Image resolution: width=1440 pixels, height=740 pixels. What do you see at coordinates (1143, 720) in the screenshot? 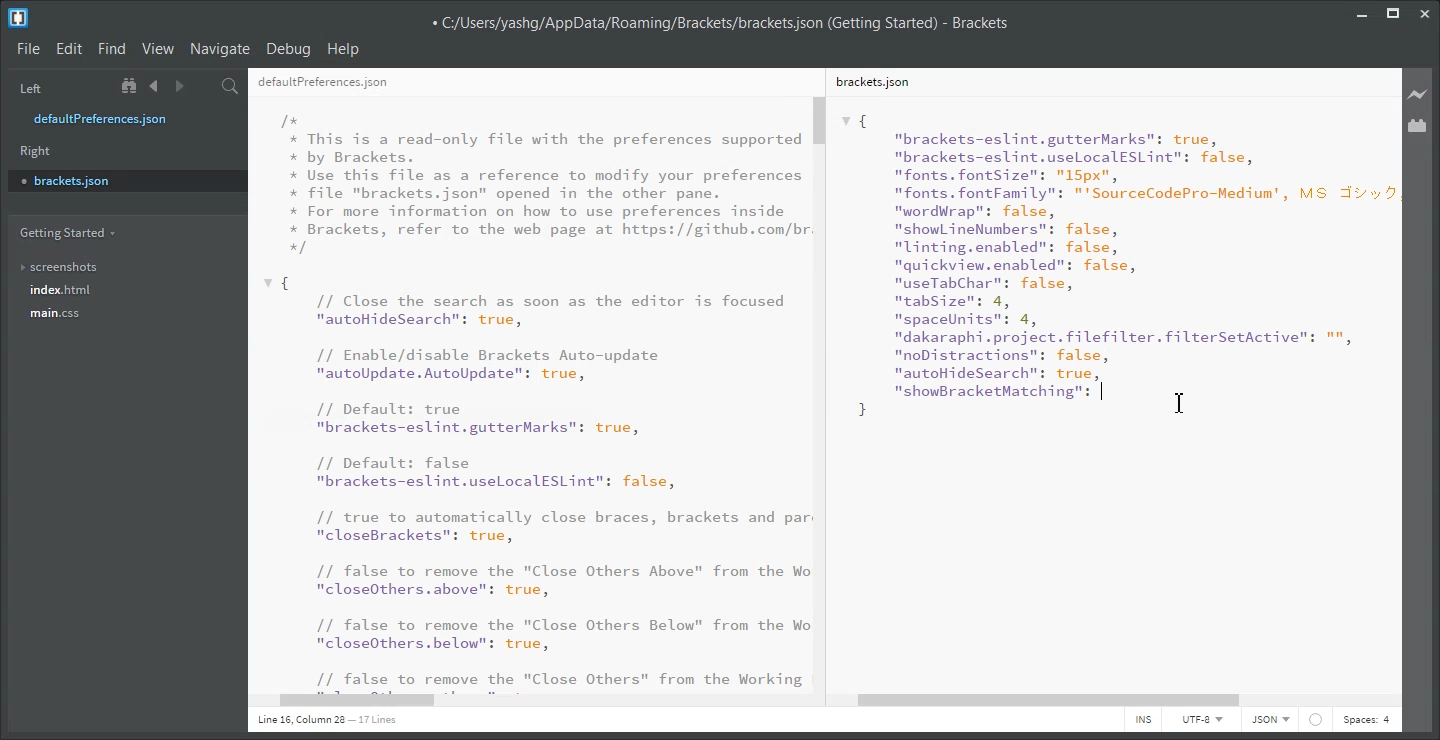
I see `INS` at bounding box center [1143, 720].